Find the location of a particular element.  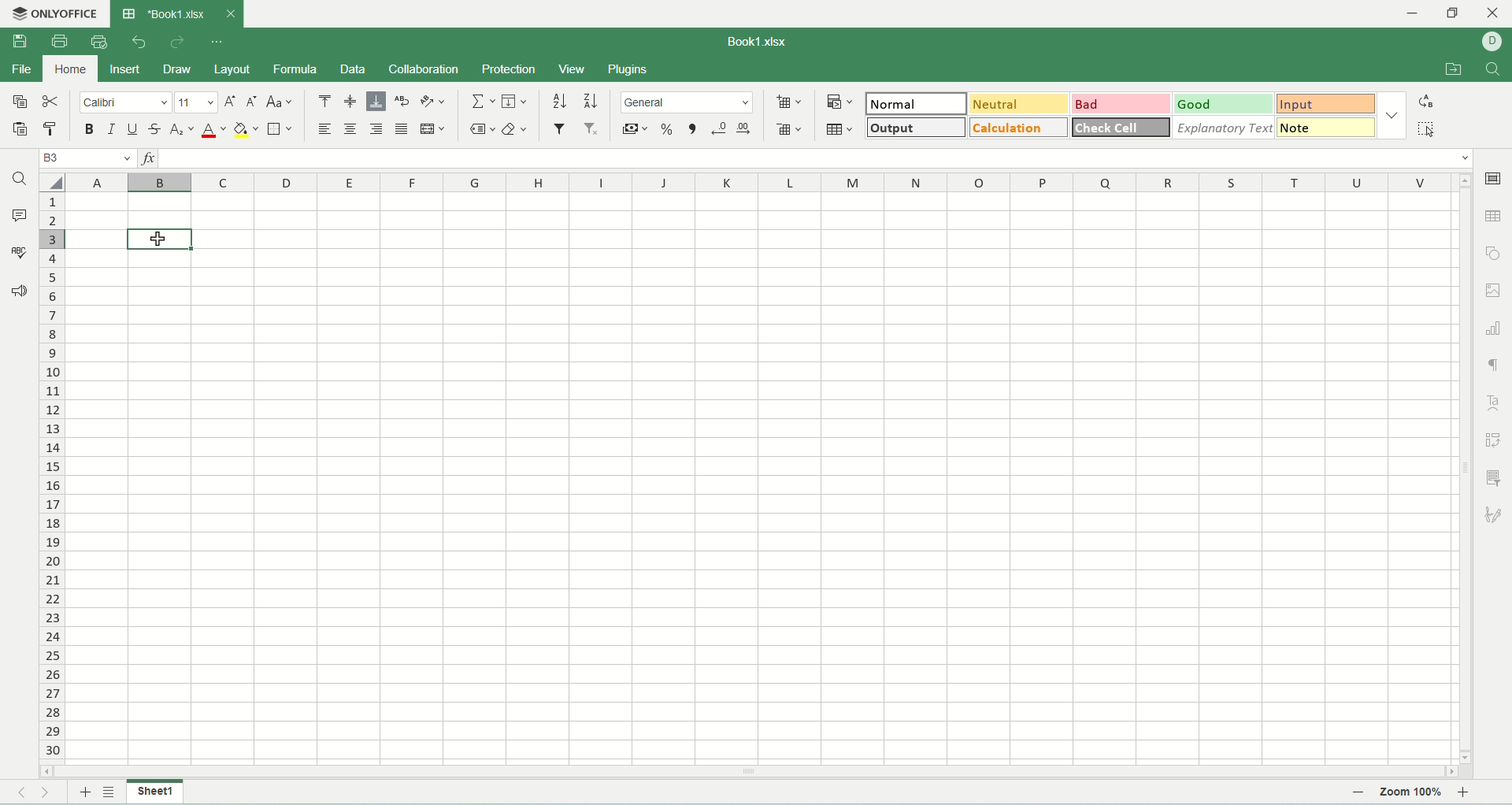

cut is located at coordinates (50, 101).